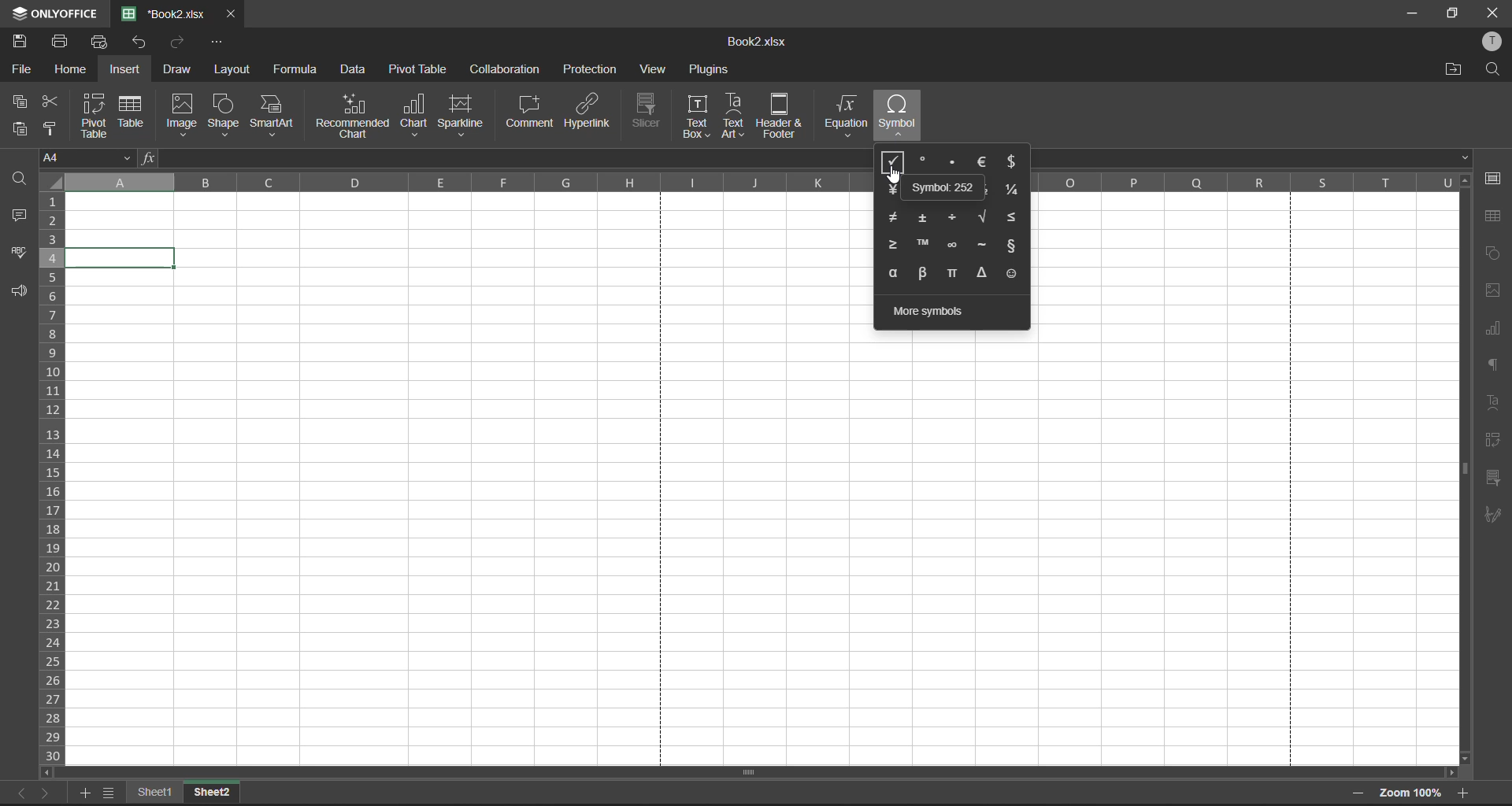 The image size is (1512, 806). Describe the element at coordinates (894, 273) in the screenshot. I see `alpha` at that location.